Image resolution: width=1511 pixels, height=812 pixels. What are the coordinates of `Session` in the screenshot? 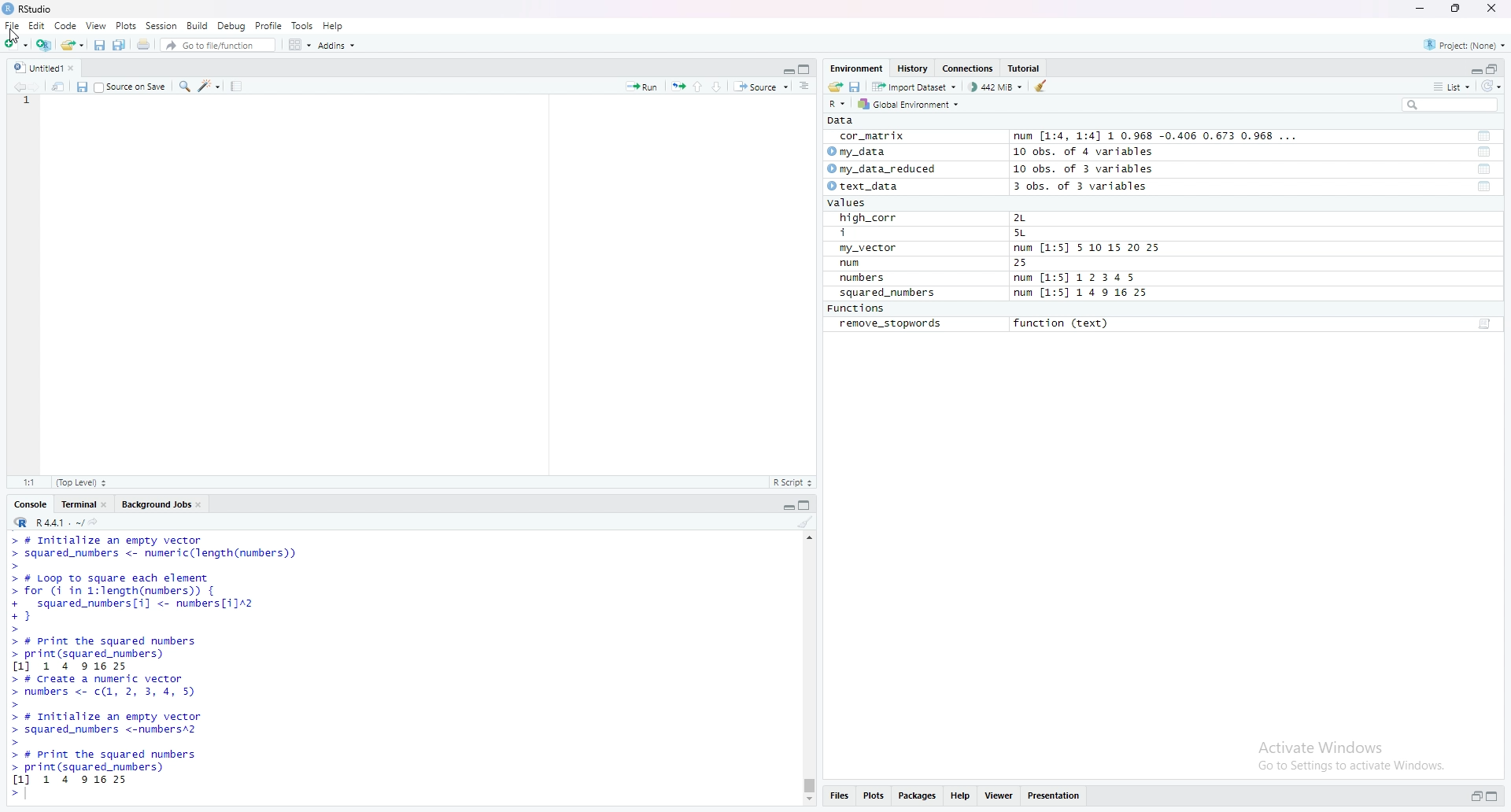 It's located at (160, 27).